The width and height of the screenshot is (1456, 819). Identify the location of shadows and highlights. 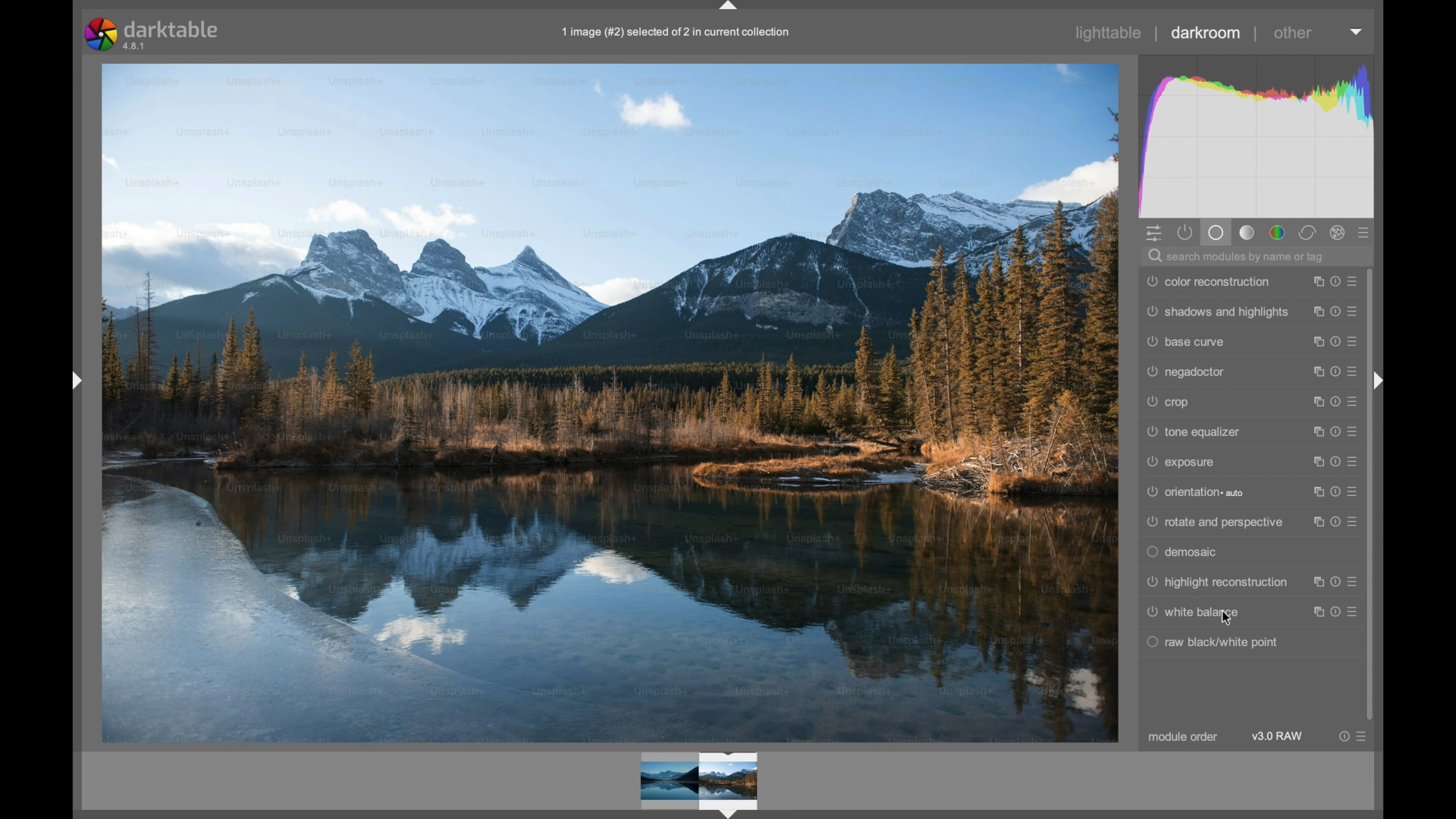
(1219, 312).